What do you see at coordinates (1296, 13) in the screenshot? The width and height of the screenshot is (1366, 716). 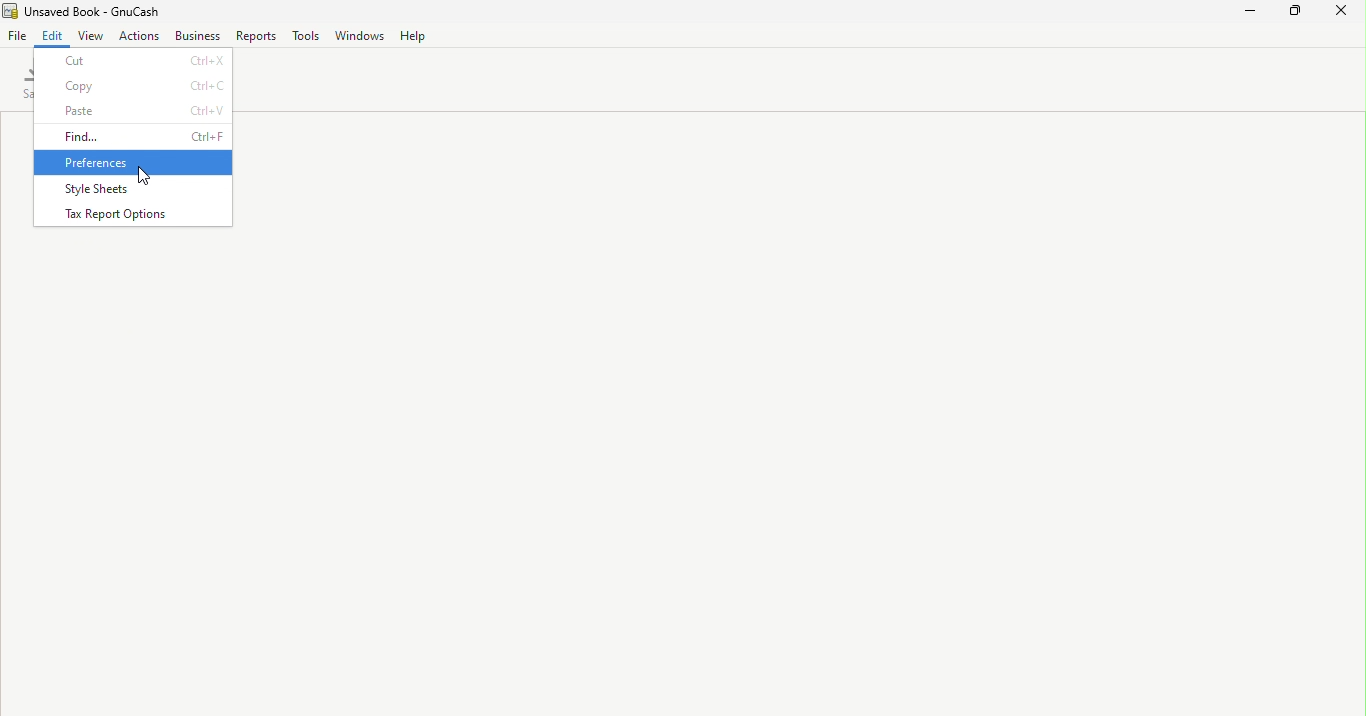 I see `Maximize` at bounding box center [1296, 13].